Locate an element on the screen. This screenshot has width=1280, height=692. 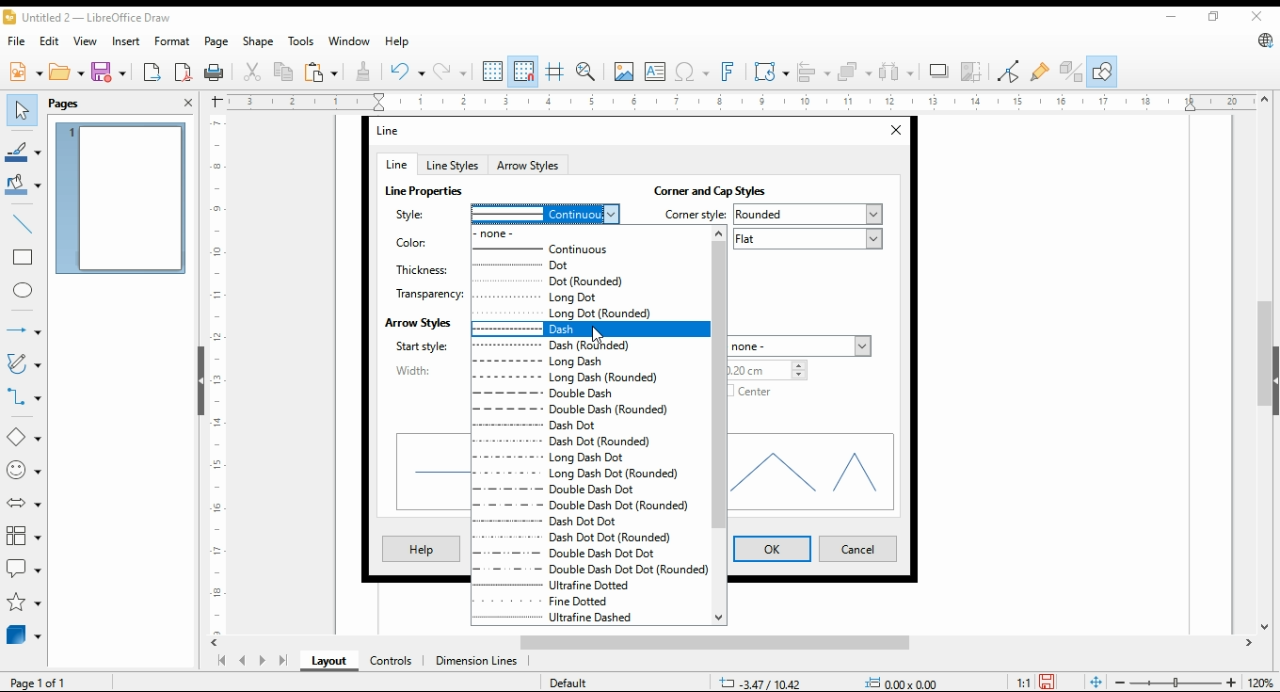
connectors is located at coordinates (24, 394).